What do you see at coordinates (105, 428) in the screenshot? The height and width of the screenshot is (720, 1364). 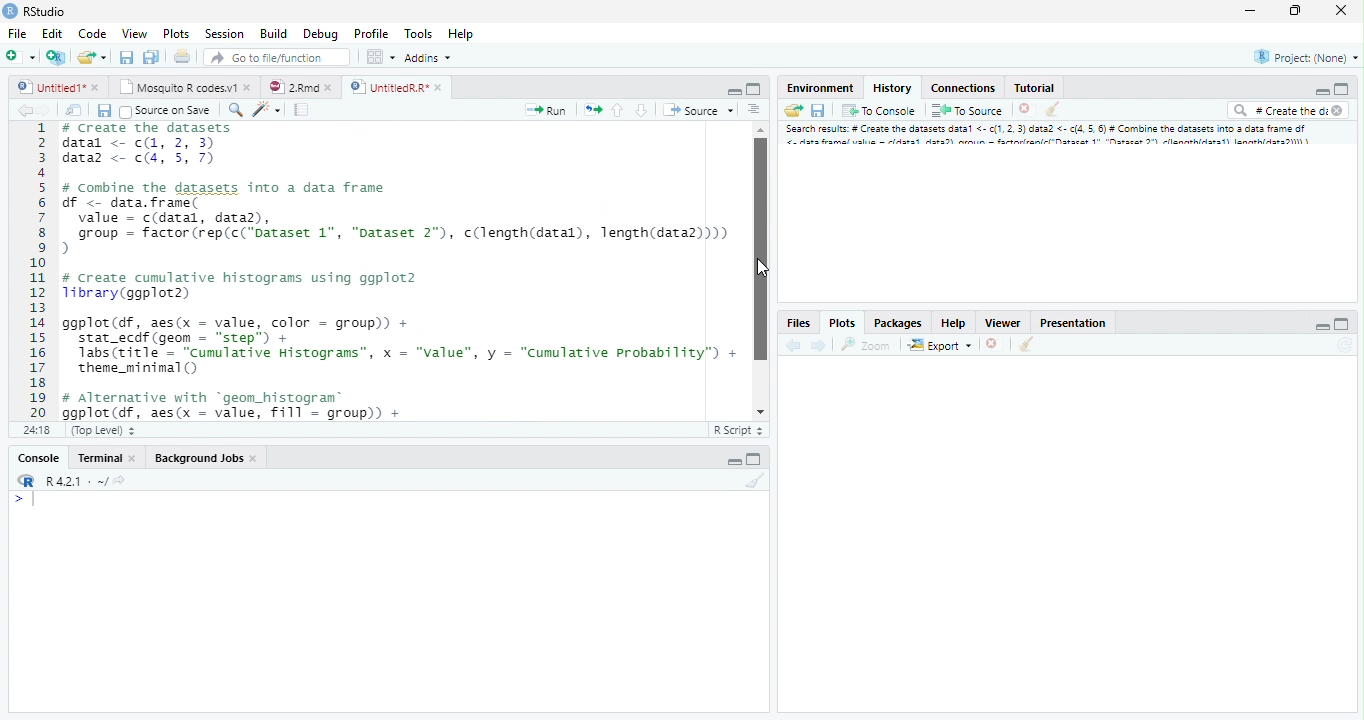 I see `Top level` at bounding box center [105, 428].